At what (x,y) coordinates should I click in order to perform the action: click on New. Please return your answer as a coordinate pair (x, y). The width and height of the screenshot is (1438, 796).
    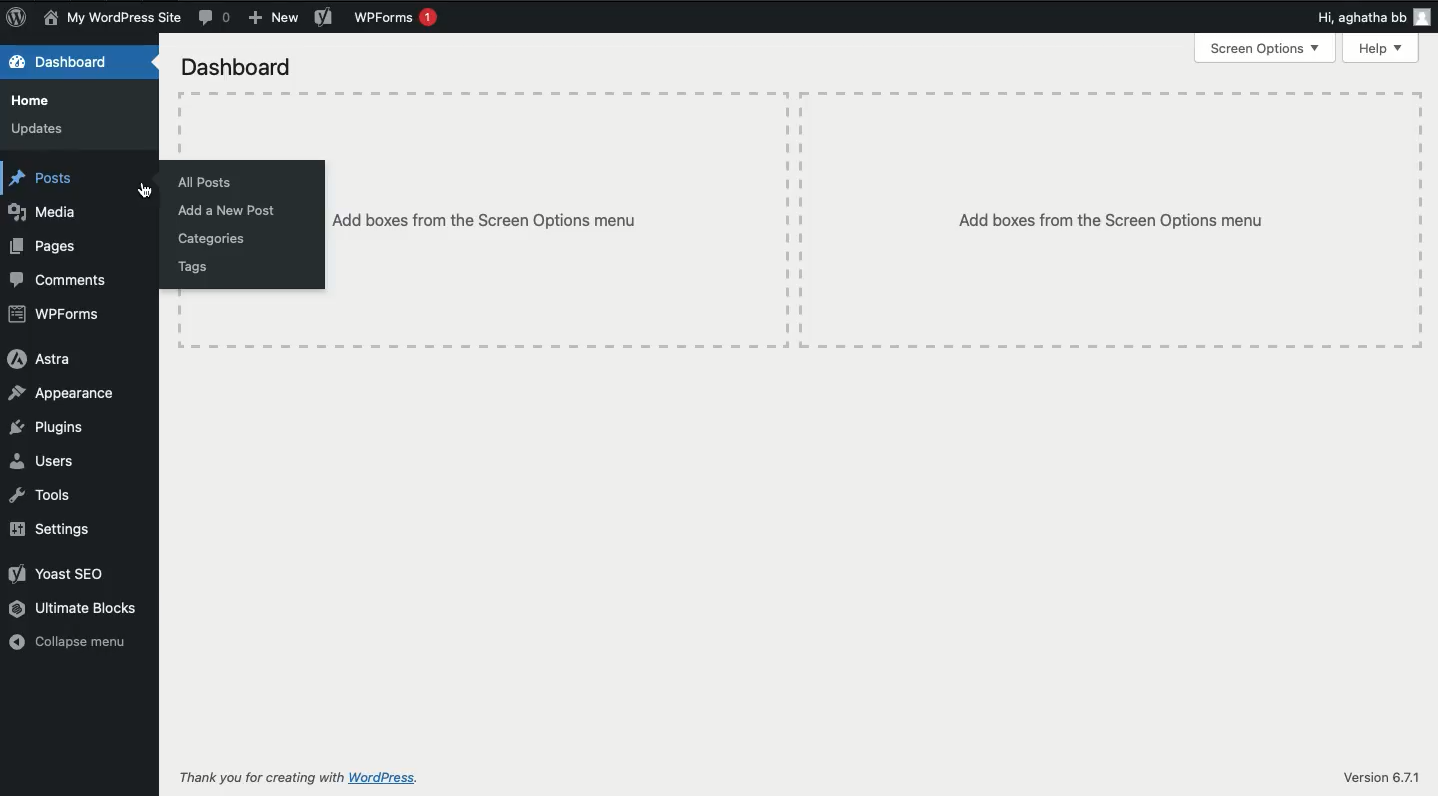
    Looking at the image, I should click on (274, 17).